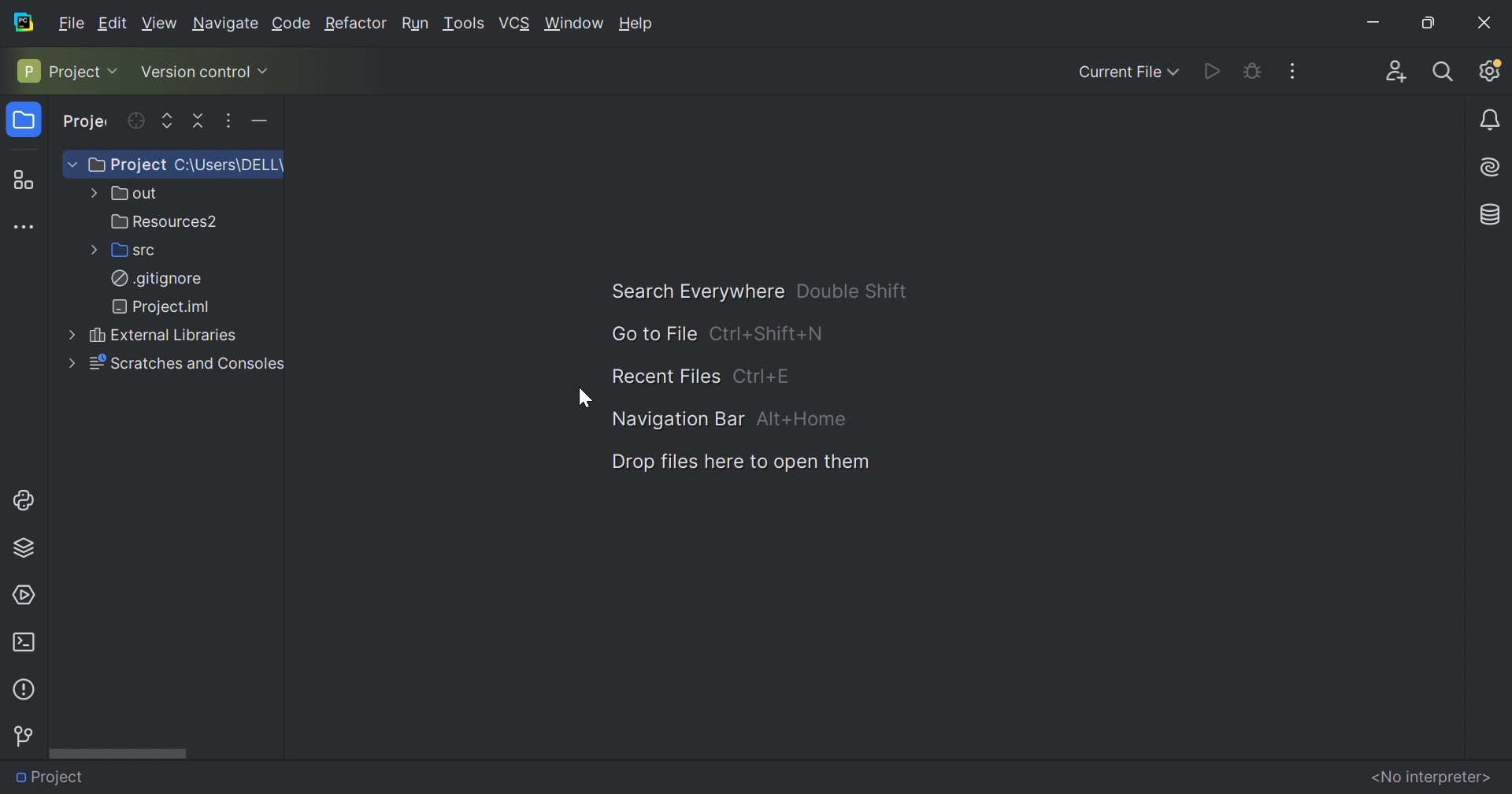  What do you see at coordinates (1250, 69) in the screenshot?
I see `Debug PythonProgram.py` at bounding box center [1250, 69].